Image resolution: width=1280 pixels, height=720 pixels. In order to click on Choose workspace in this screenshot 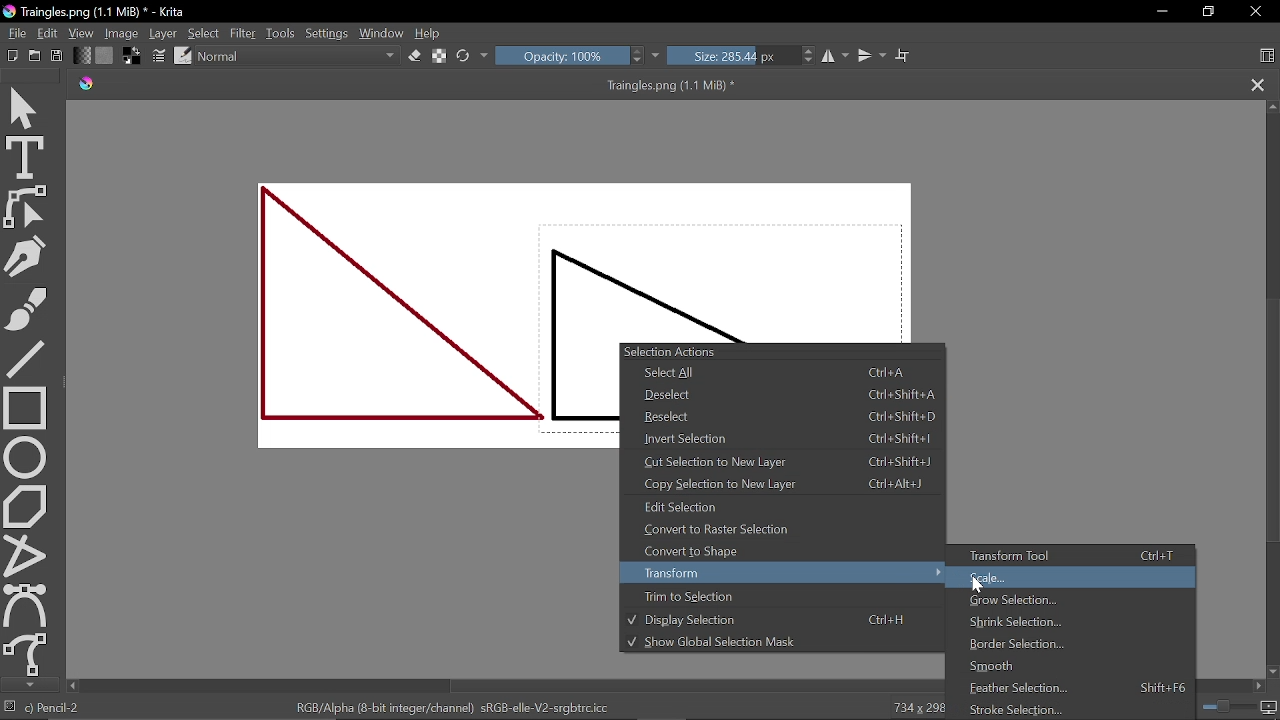, I will do `click(1266, 55)`.